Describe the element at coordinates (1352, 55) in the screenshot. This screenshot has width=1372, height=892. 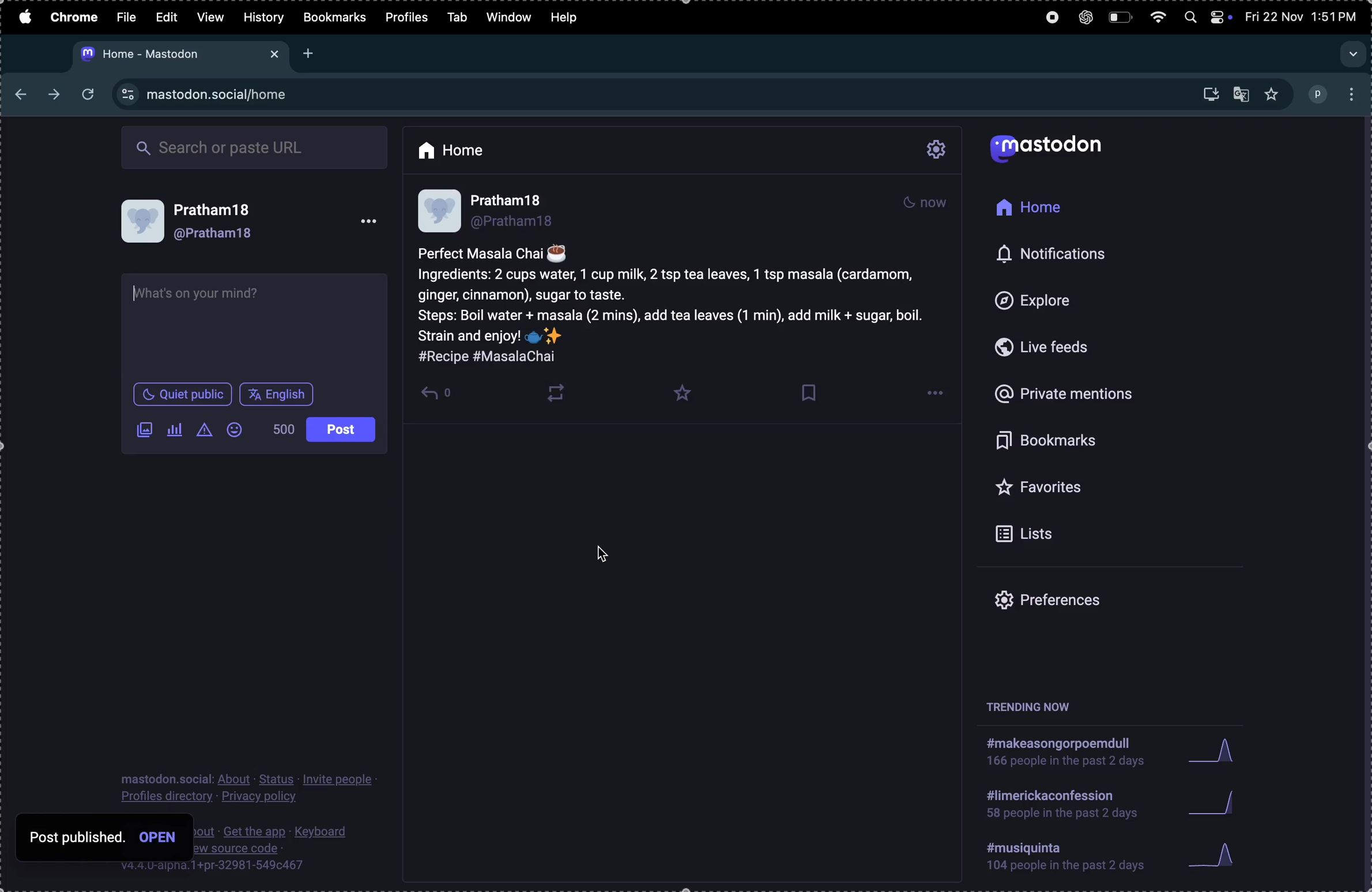
I see `search tab` at that location.